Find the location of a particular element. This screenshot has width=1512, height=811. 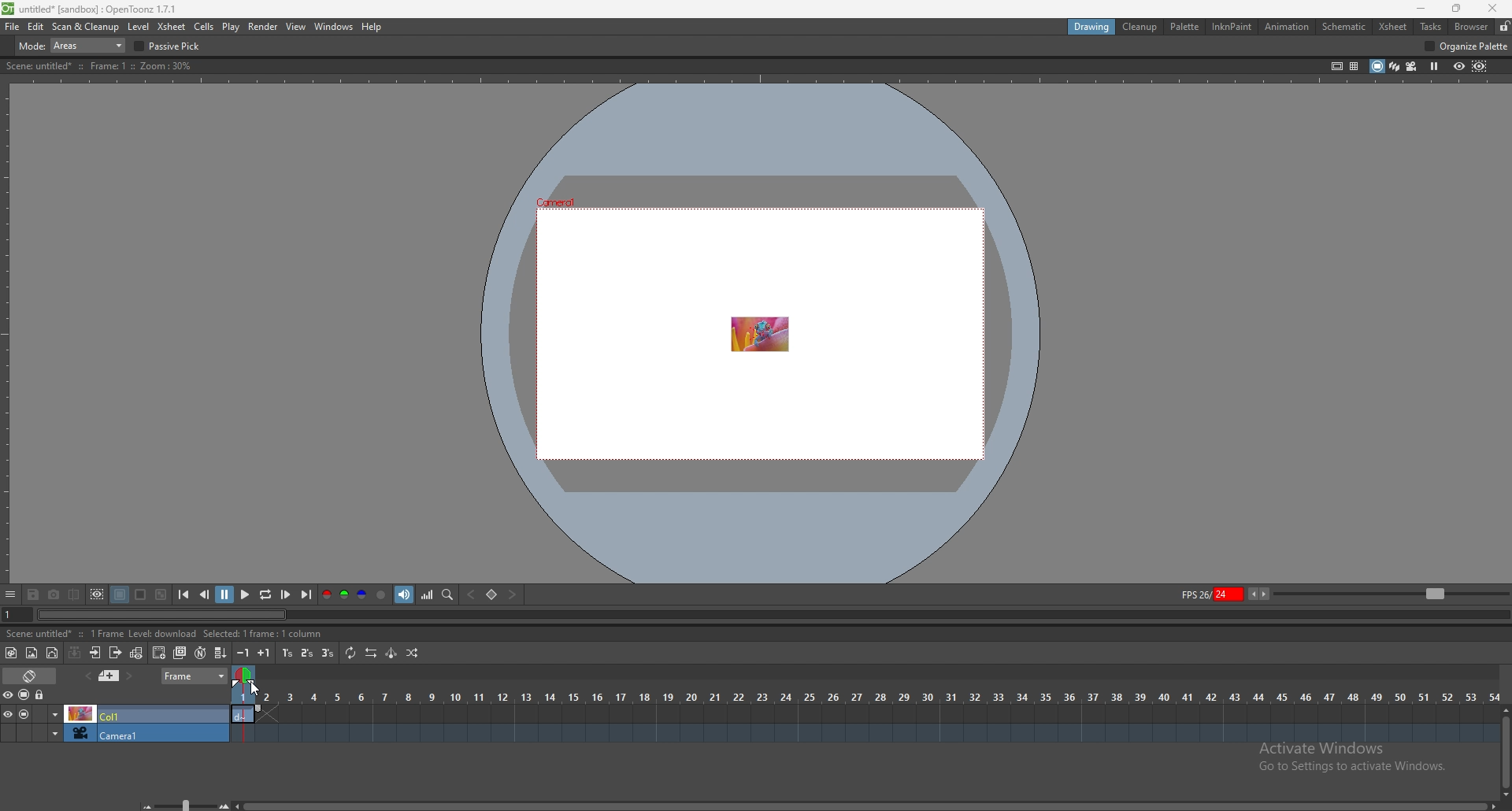

timeline is located at coordinates (863, 733).